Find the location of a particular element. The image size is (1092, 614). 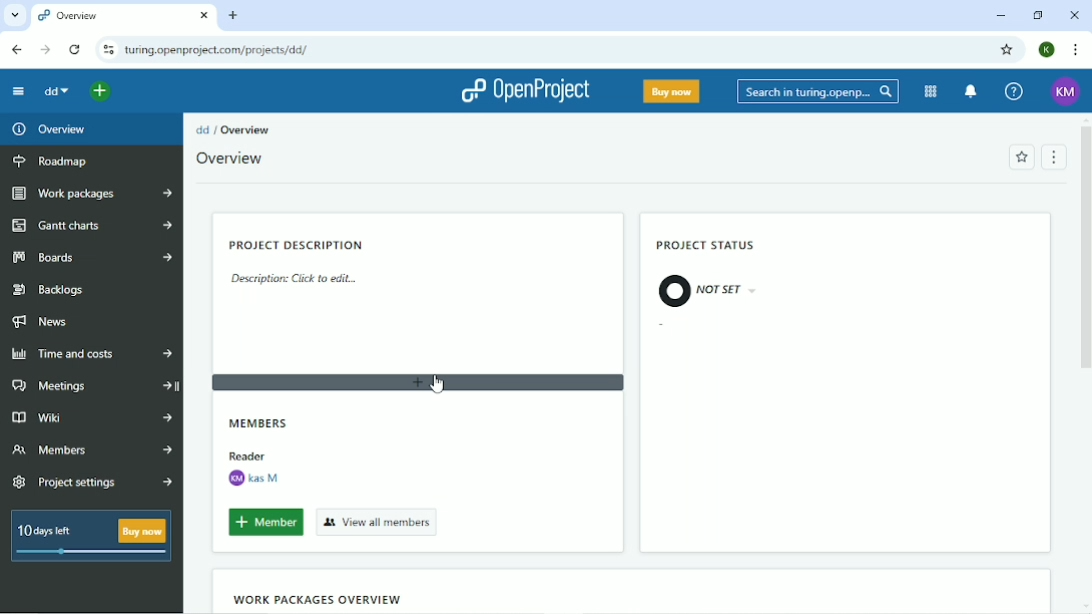

Members is located at coordinates (261, 421).